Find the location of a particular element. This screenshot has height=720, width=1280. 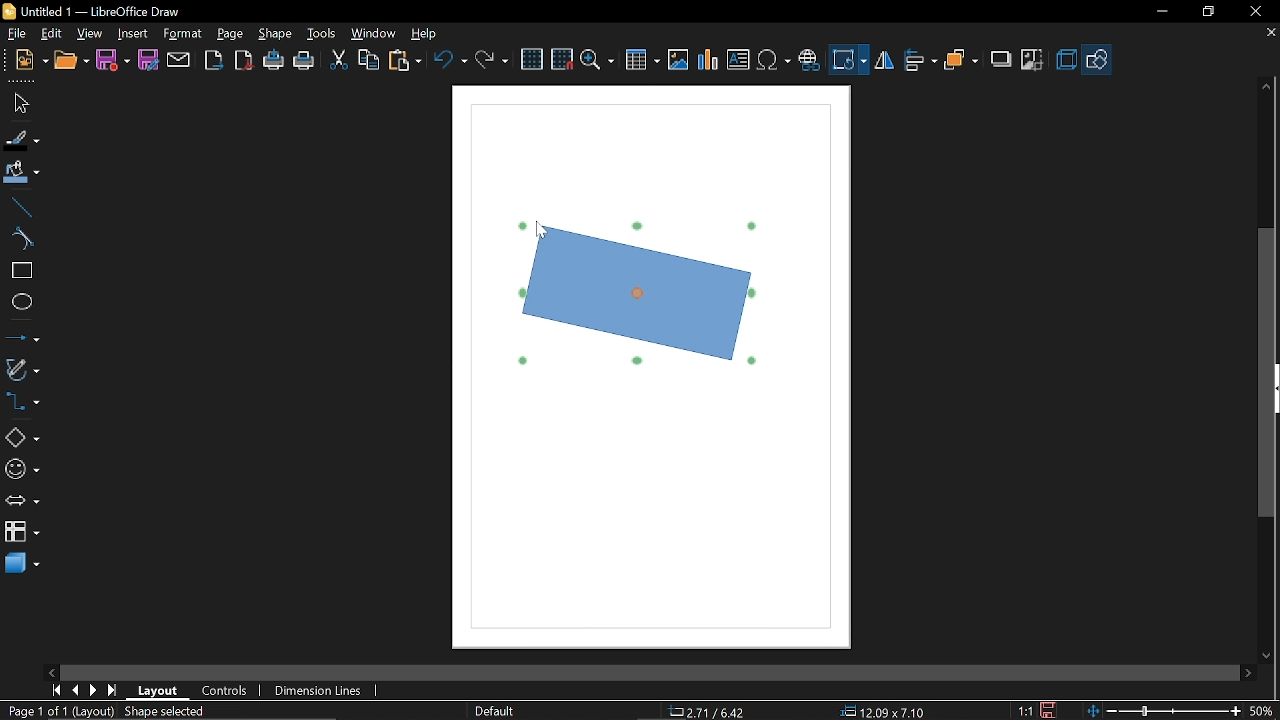

arrange is located at coordinates (962, 59).